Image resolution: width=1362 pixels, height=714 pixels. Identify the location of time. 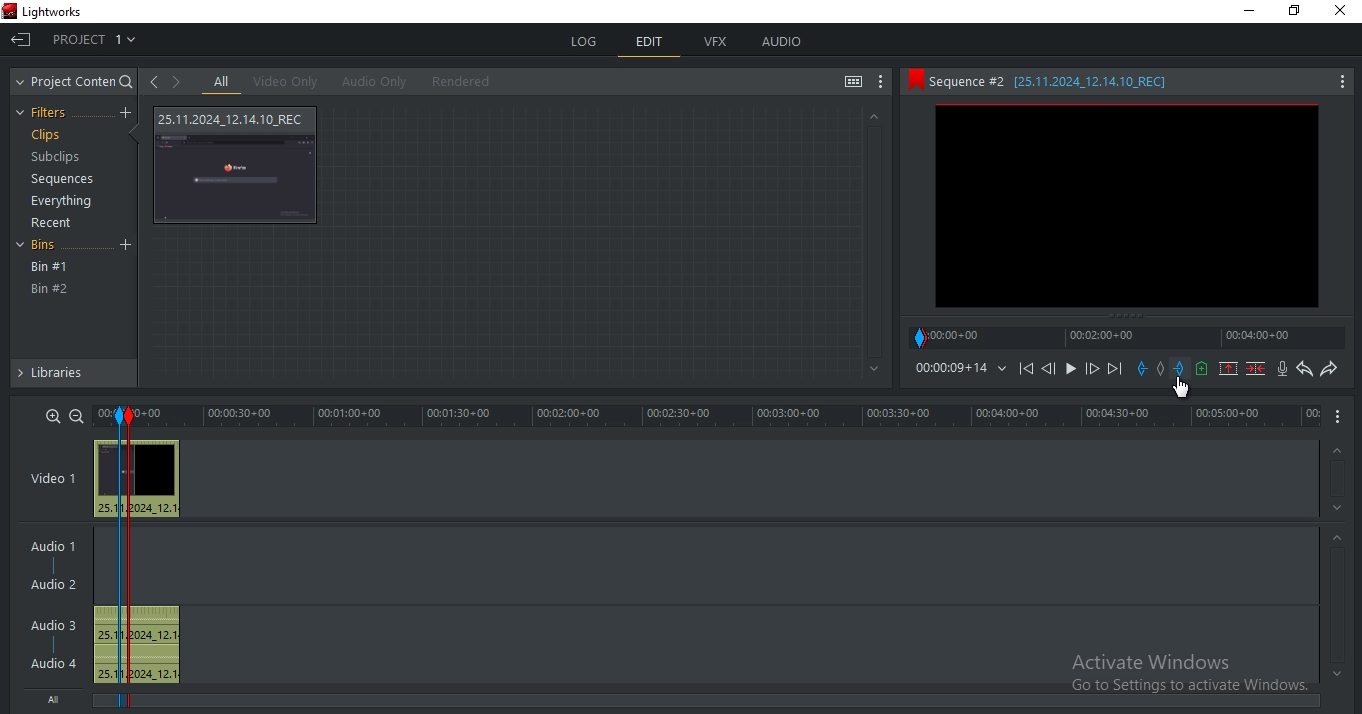
(961, 367).